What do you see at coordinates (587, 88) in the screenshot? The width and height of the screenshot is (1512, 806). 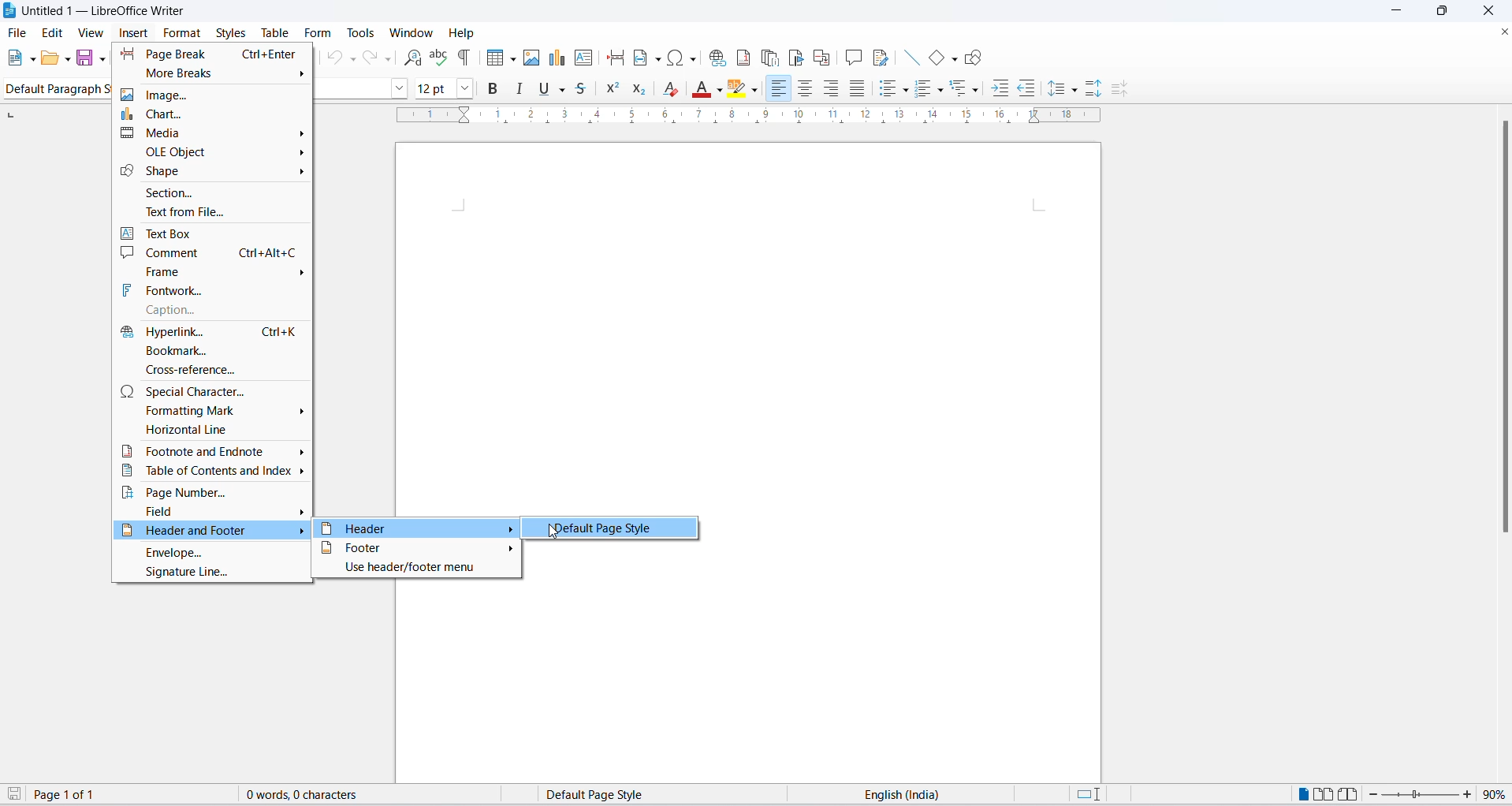 I see `strike through` at bounding box center [587, 88].